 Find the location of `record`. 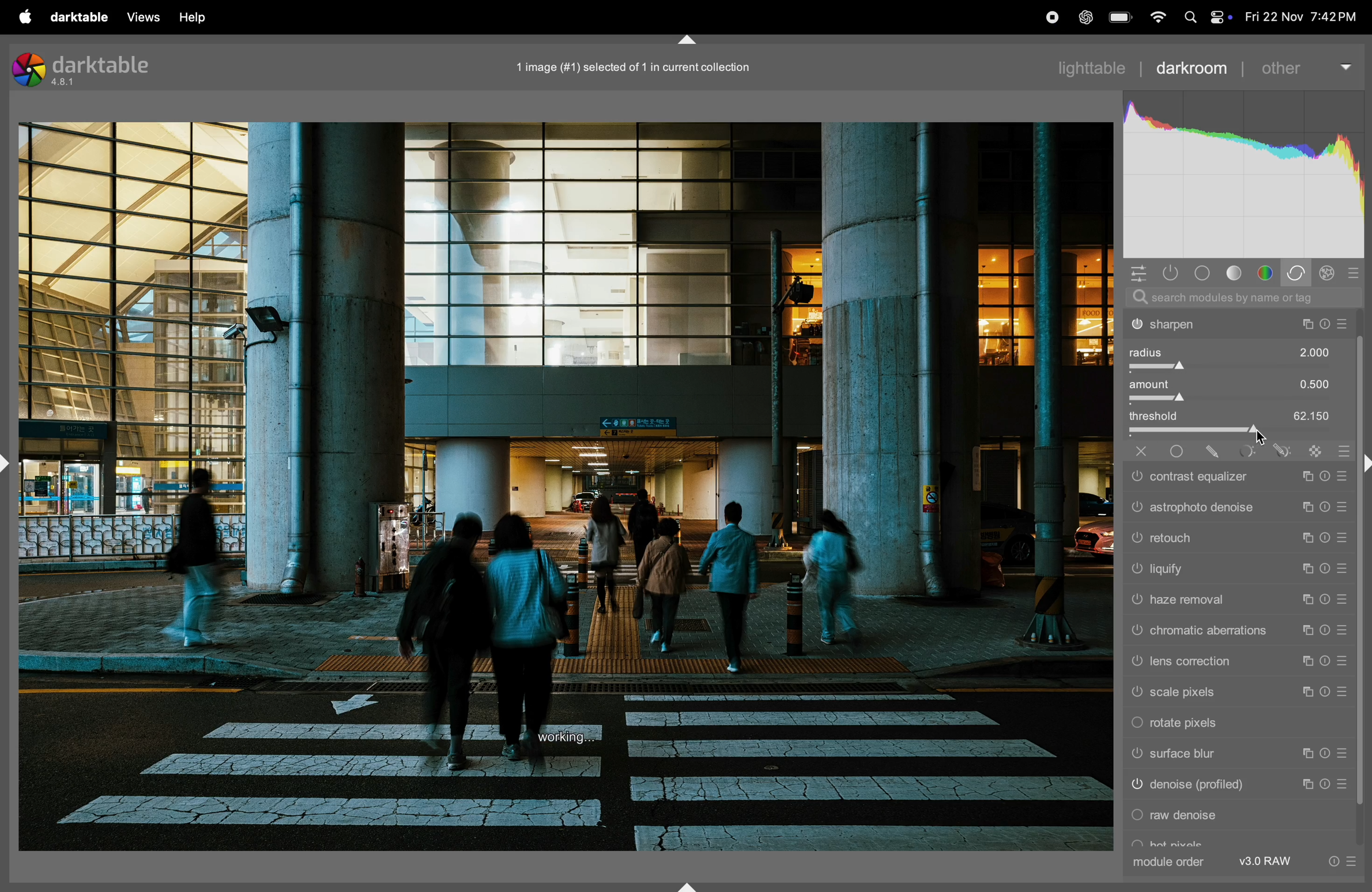

record is located at coordinates (1046, 17).